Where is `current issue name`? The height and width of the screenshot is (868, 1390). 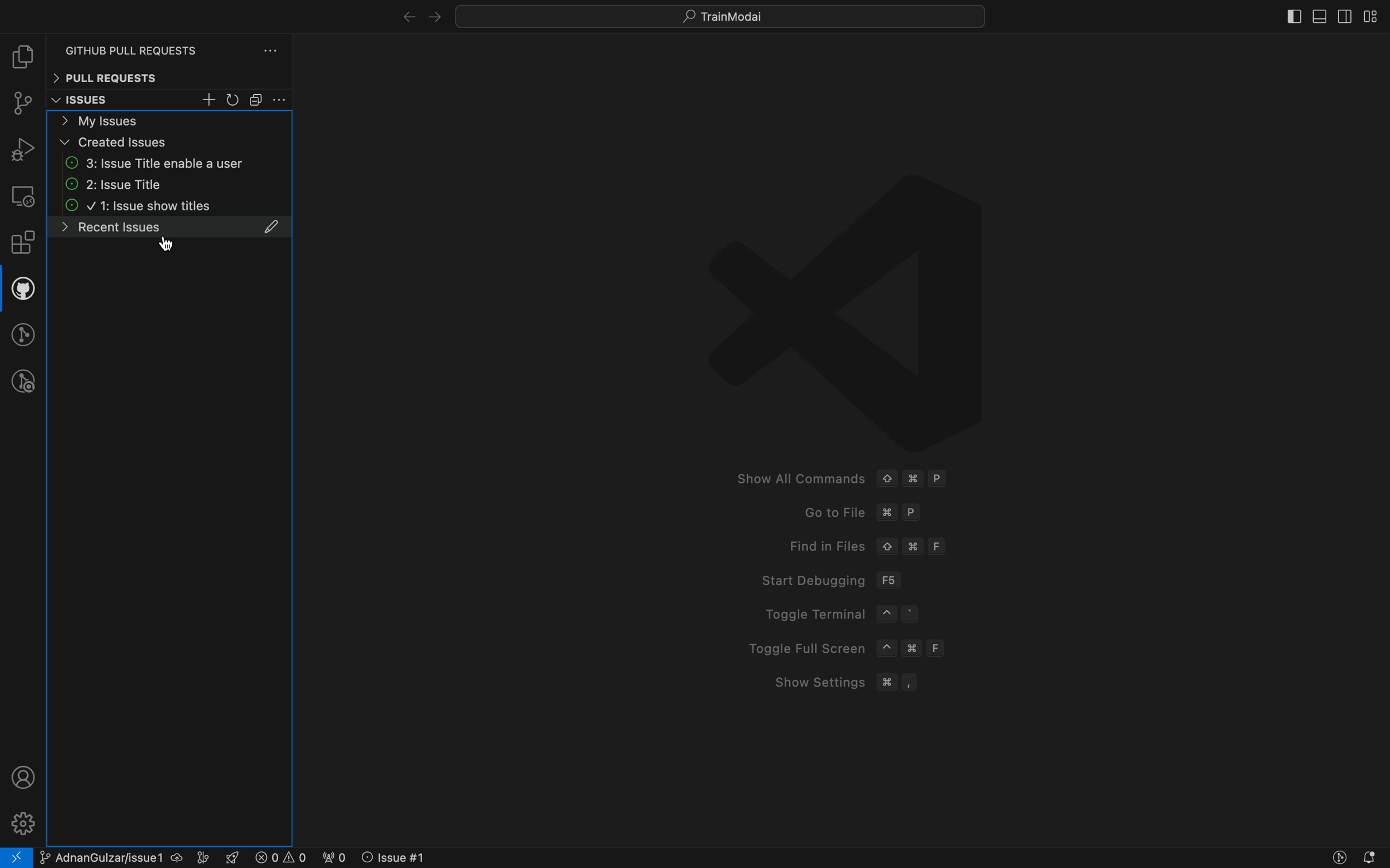 current issue name is located at coordinates (106, 859).